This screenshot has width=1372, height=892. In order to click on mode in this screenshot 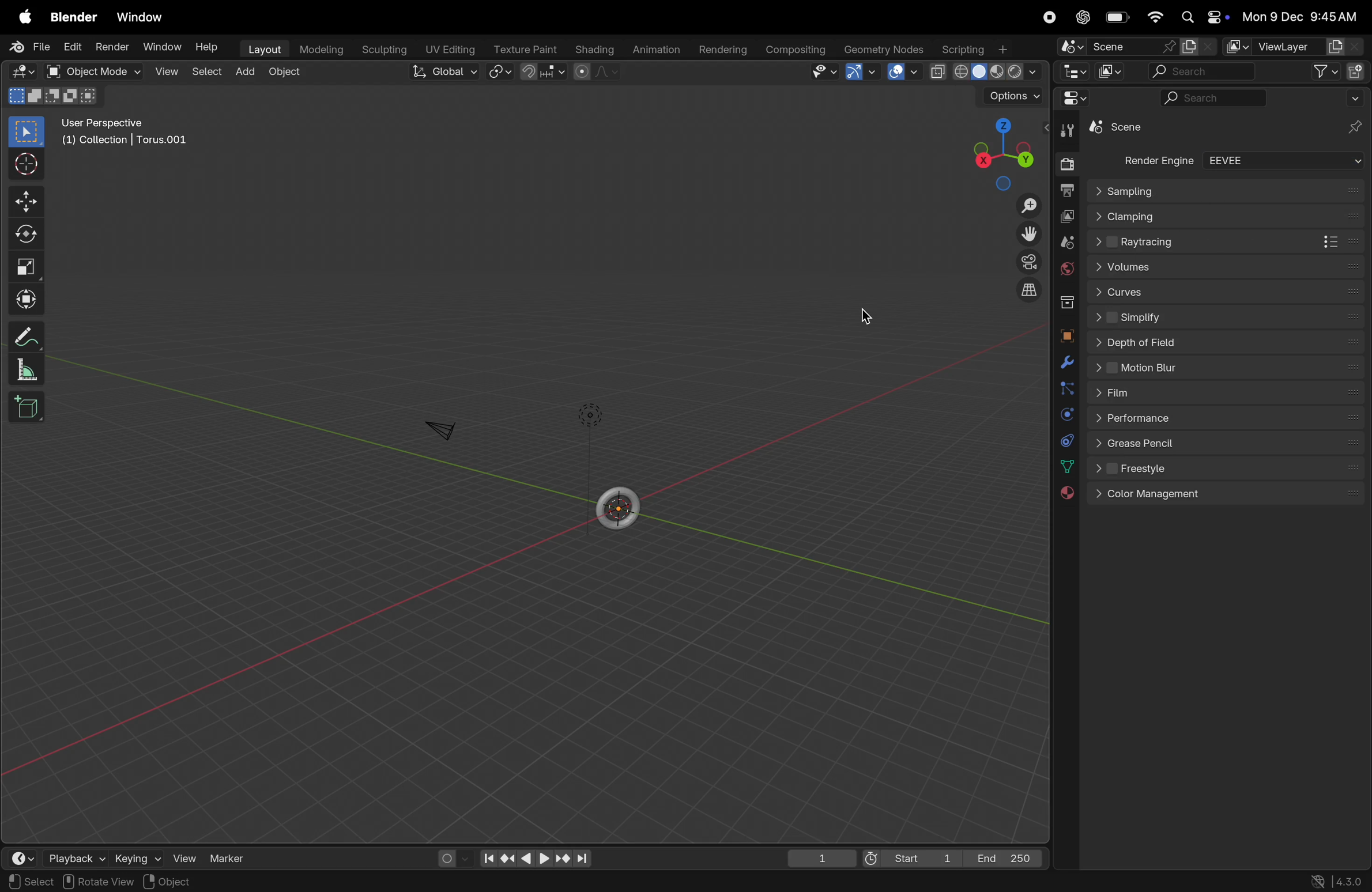, I will do `click(52, 97)`.